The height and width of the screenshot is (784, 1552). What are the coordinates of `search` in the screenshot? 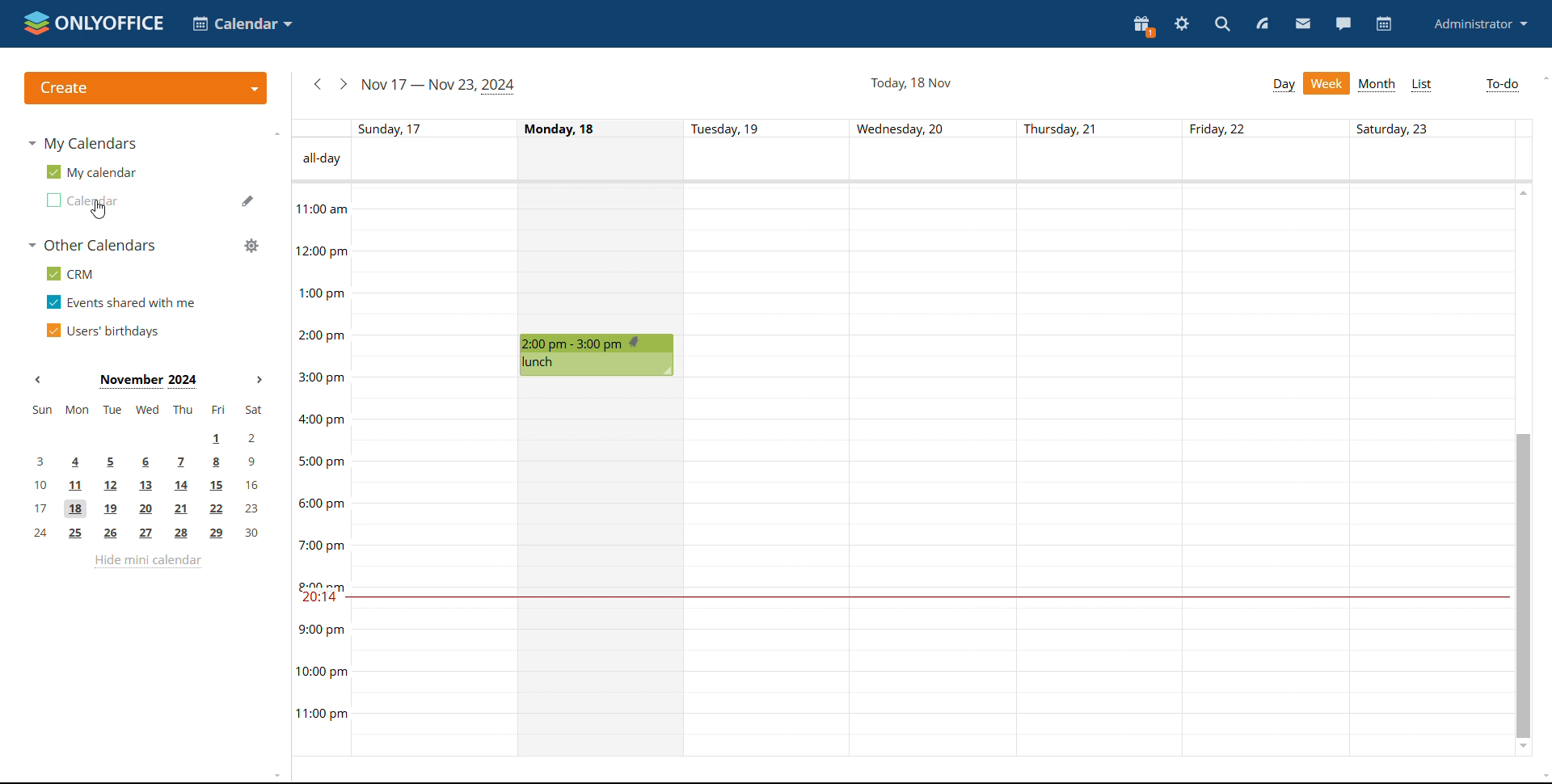 It's located at (1221, 25).